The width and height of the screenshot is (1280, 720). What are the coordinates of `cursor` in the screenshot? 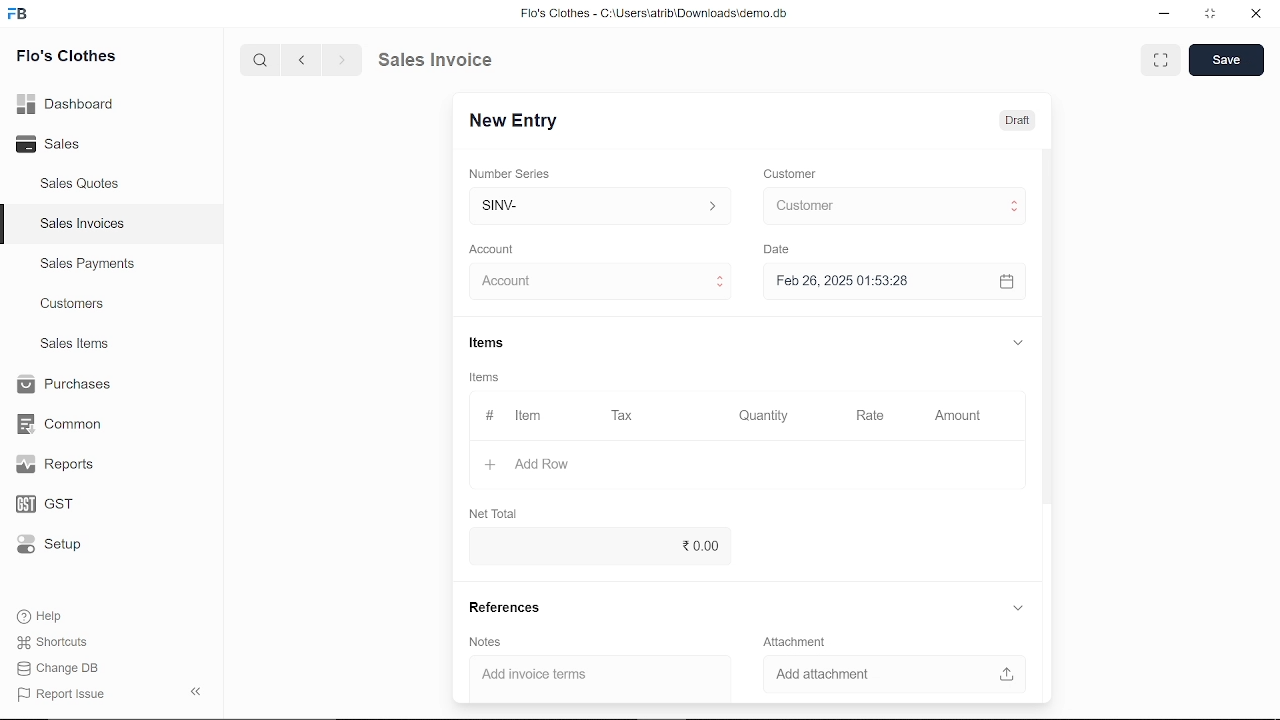 It's located at (810, 209).